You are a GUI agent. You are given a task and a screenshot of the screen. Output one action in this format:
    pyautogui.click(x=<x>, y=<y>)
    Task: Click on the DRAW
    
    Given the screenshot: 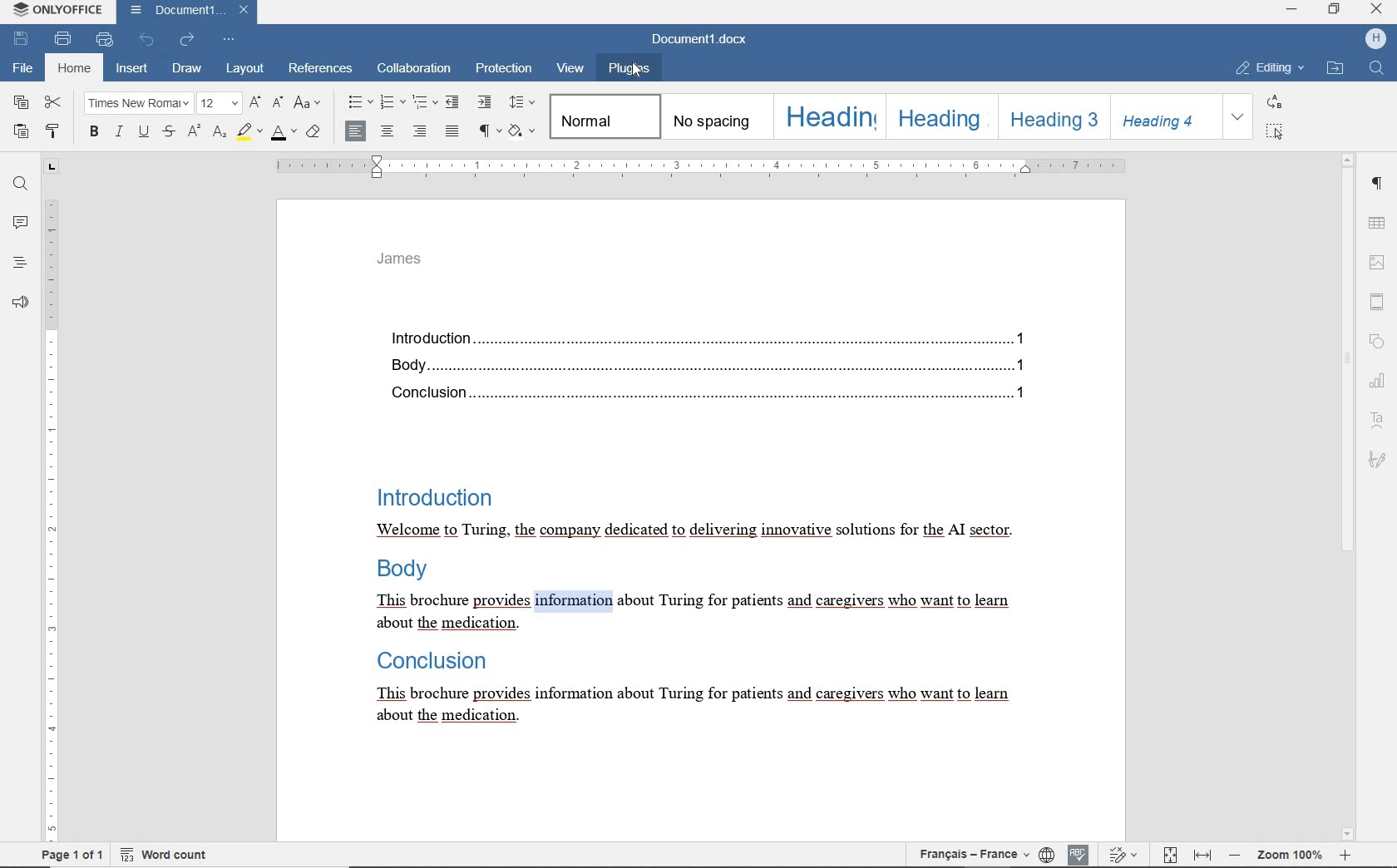 What is the action you would take?
    pyautogui.click(x=187, y=68)
    